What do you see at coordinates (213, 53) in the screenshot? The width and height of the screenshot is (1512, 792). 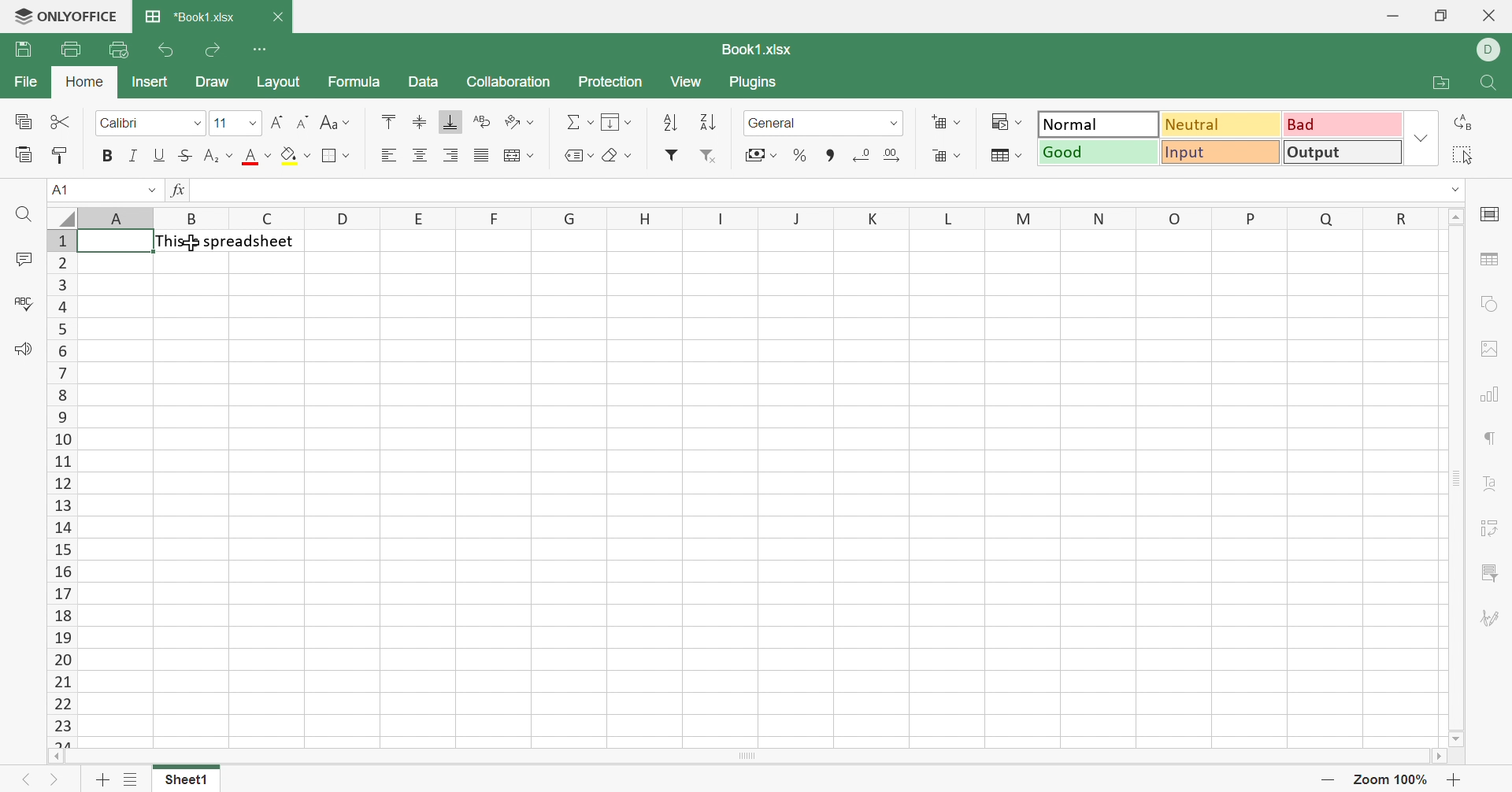 I see `Redo` at bounding box center [213, 53].